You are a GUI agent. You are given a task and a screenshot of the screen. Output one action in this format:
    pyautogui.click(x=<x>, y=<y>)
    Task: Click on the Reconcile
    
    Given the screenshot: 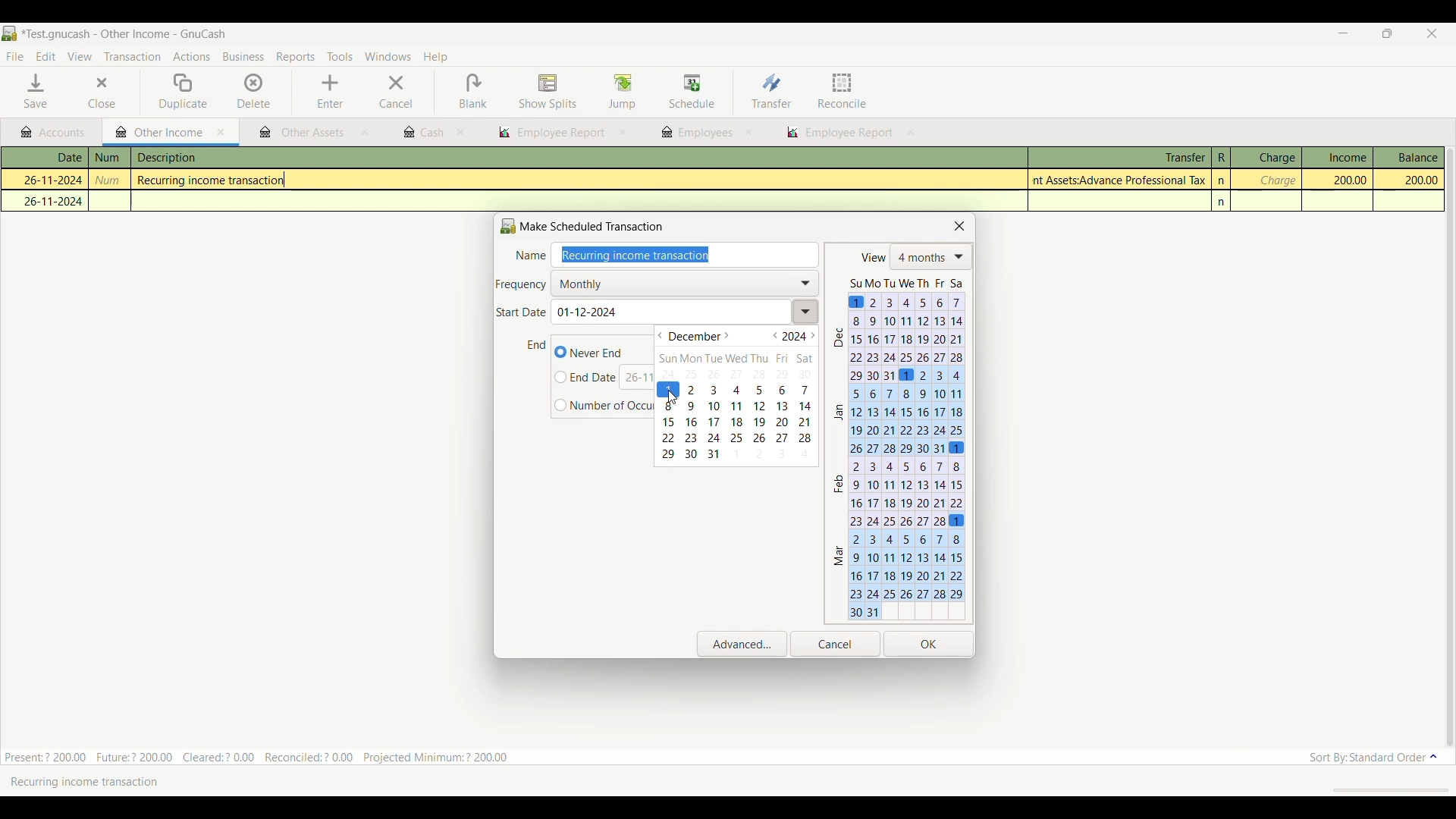 What is the action you would take?
    pyautogui.click(x=843, y=90)
    